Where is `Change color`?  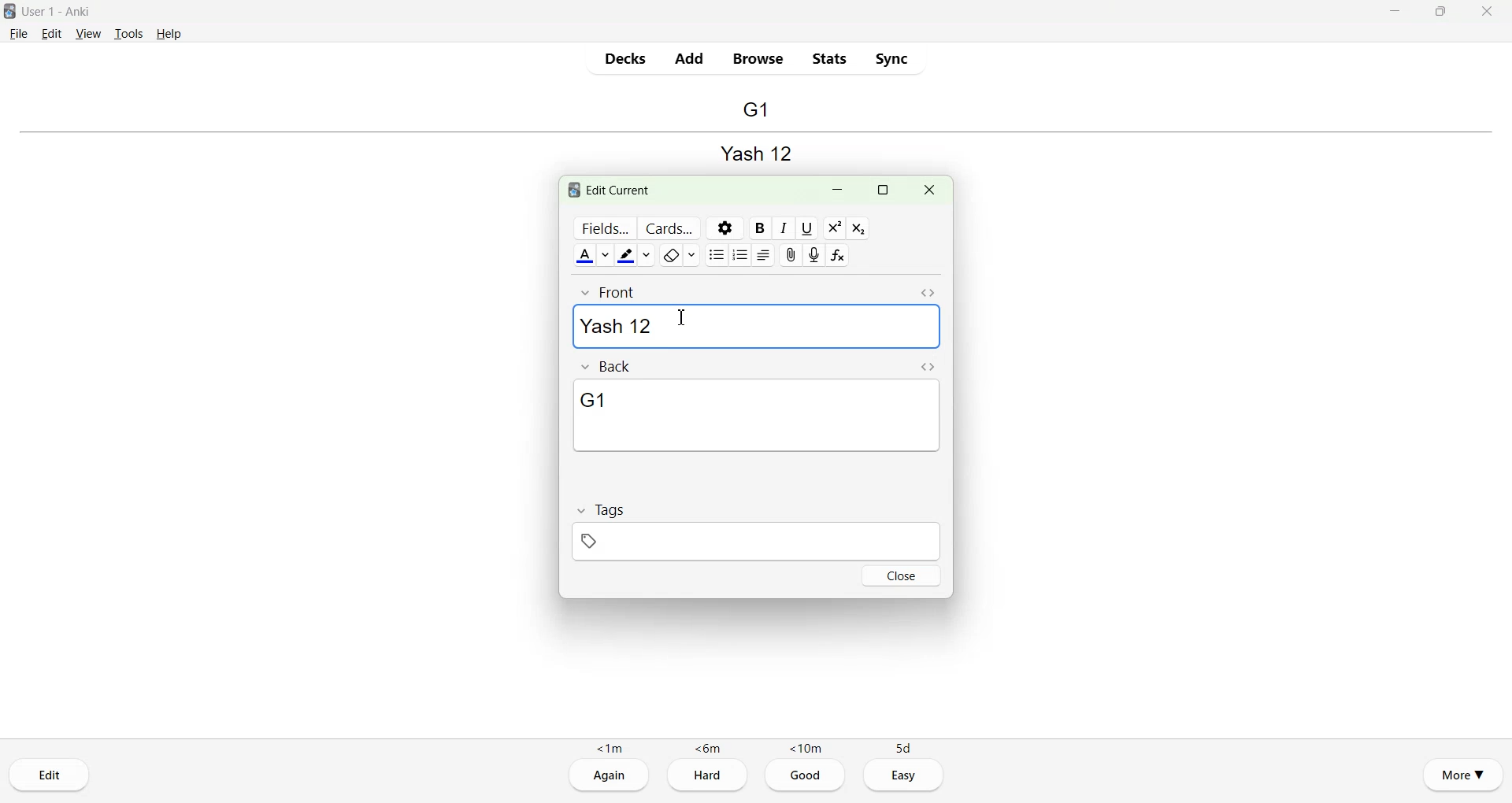
Change color is located at coordinates (607, 255).